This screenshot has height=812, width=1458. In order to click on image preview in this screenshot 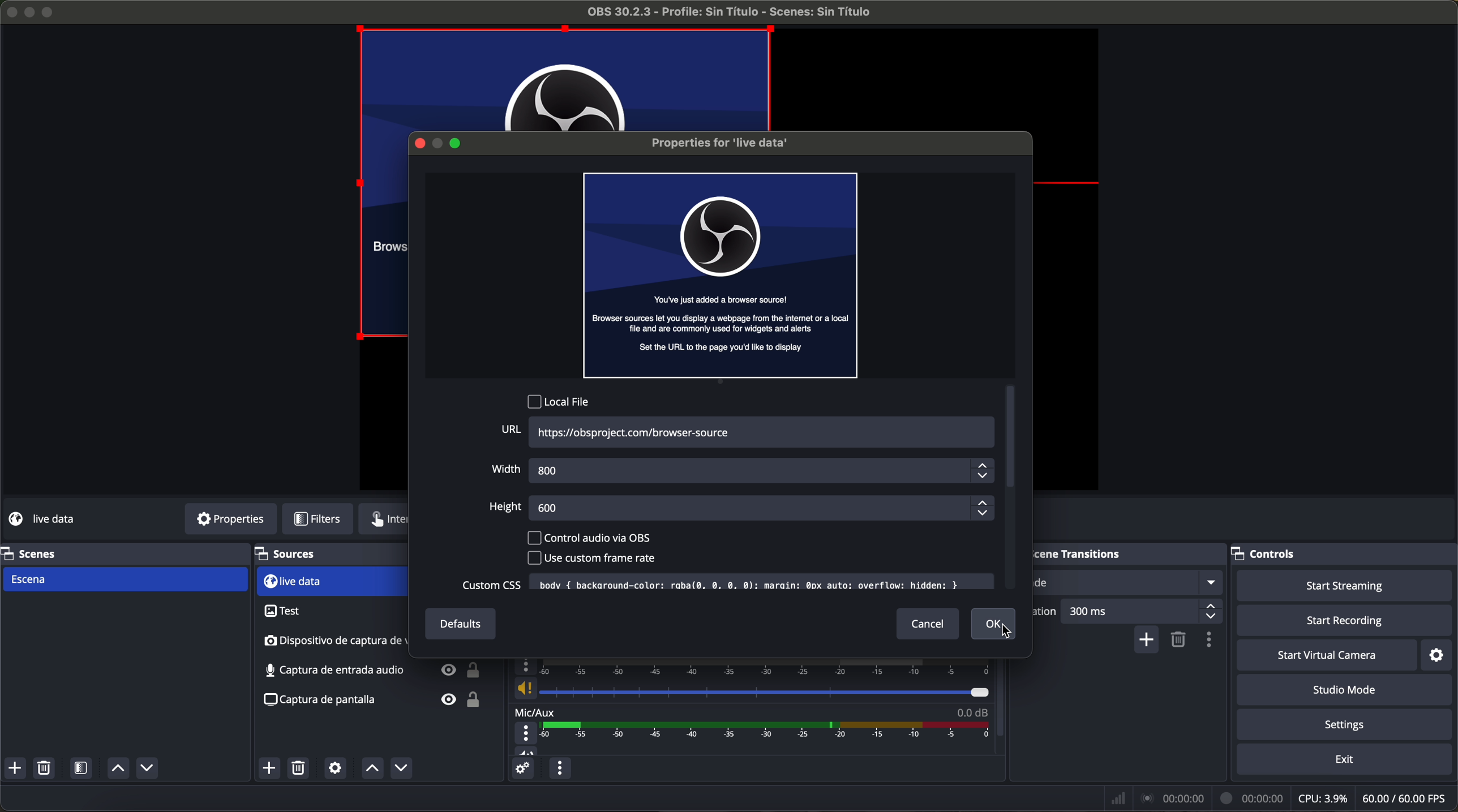, I will do `click(565, 78)`.